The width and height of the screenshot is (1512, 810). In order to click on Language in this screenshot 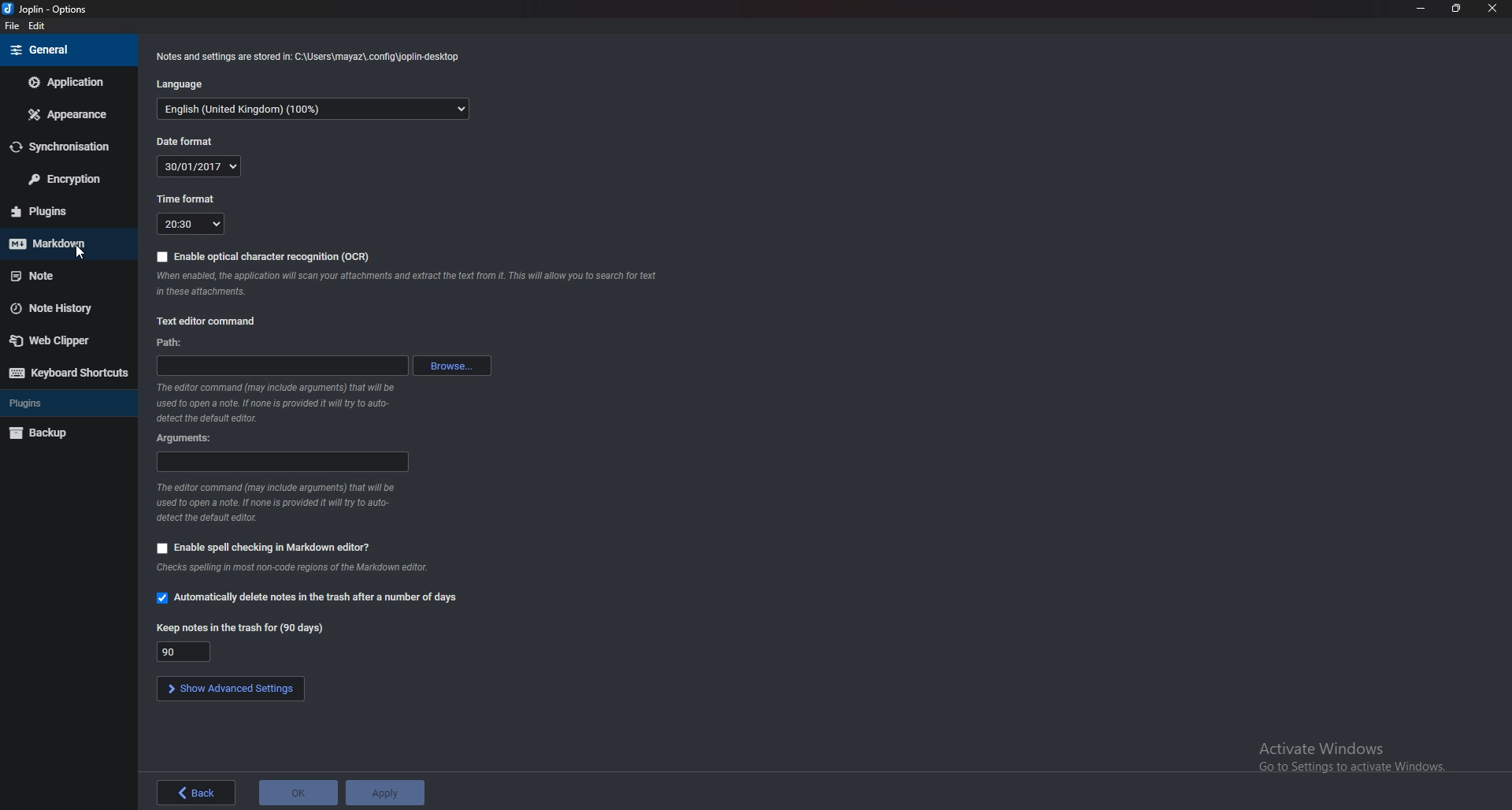, I will do `click(180, 87)`.